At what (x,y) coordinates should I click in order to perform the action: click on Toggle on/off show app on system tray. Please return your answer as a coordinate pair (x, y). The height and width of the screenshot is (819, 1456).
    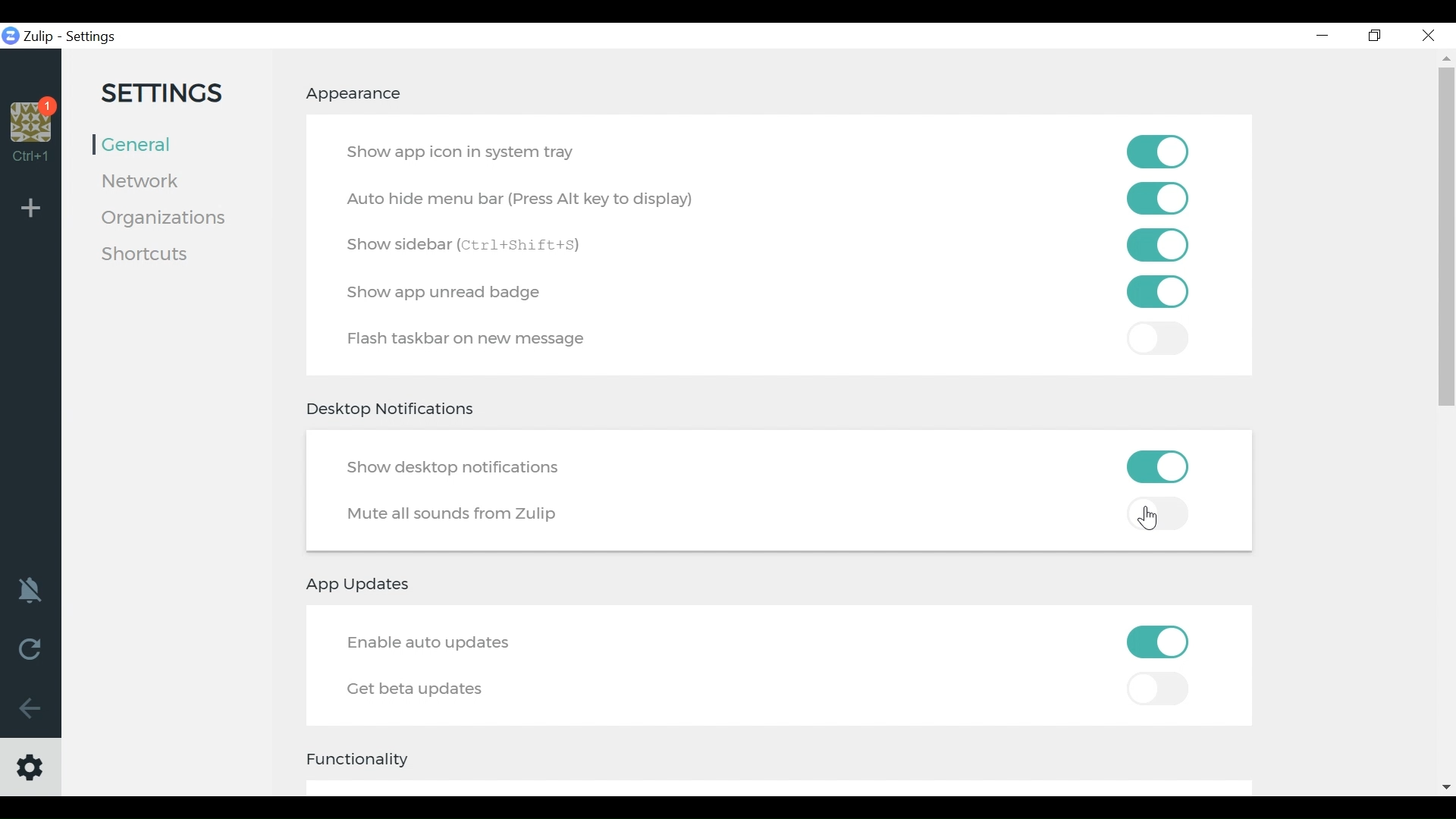
    Looking at the image, I should click on (1159, 151).